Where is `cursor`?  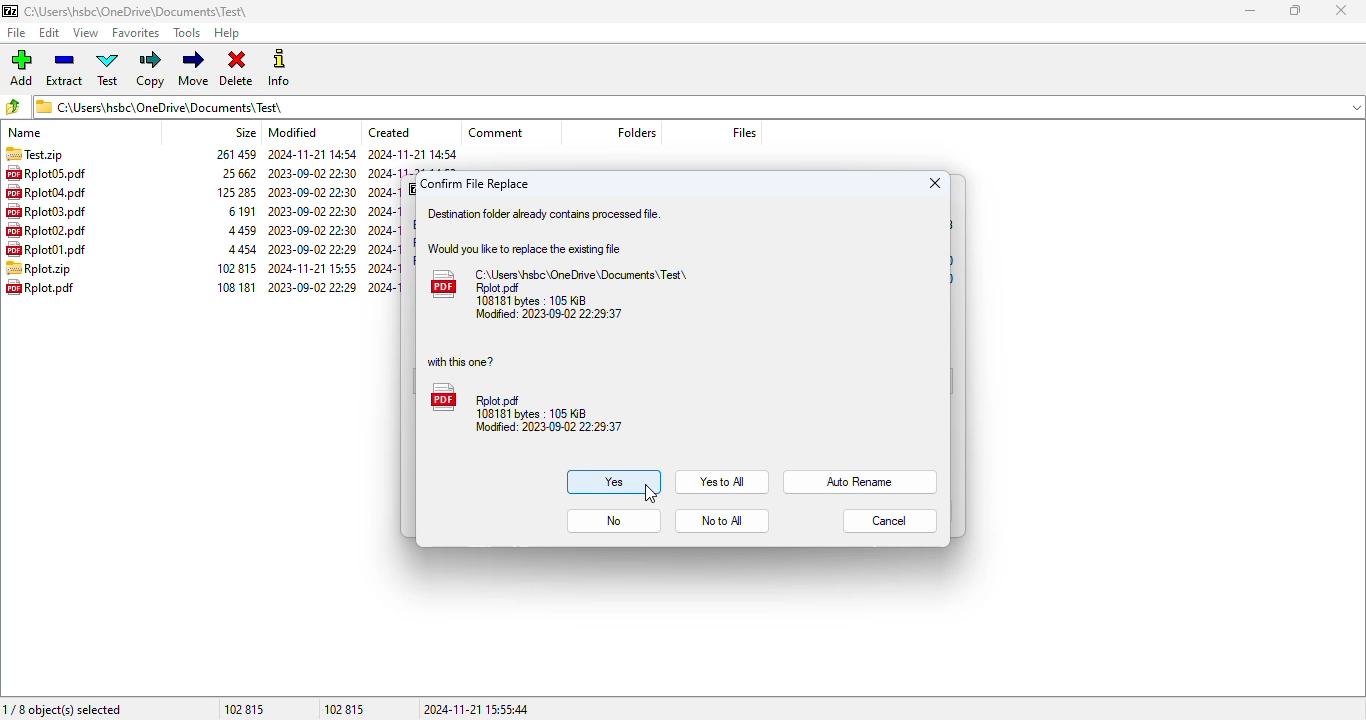
cursor is located at coordinates (650, 494).